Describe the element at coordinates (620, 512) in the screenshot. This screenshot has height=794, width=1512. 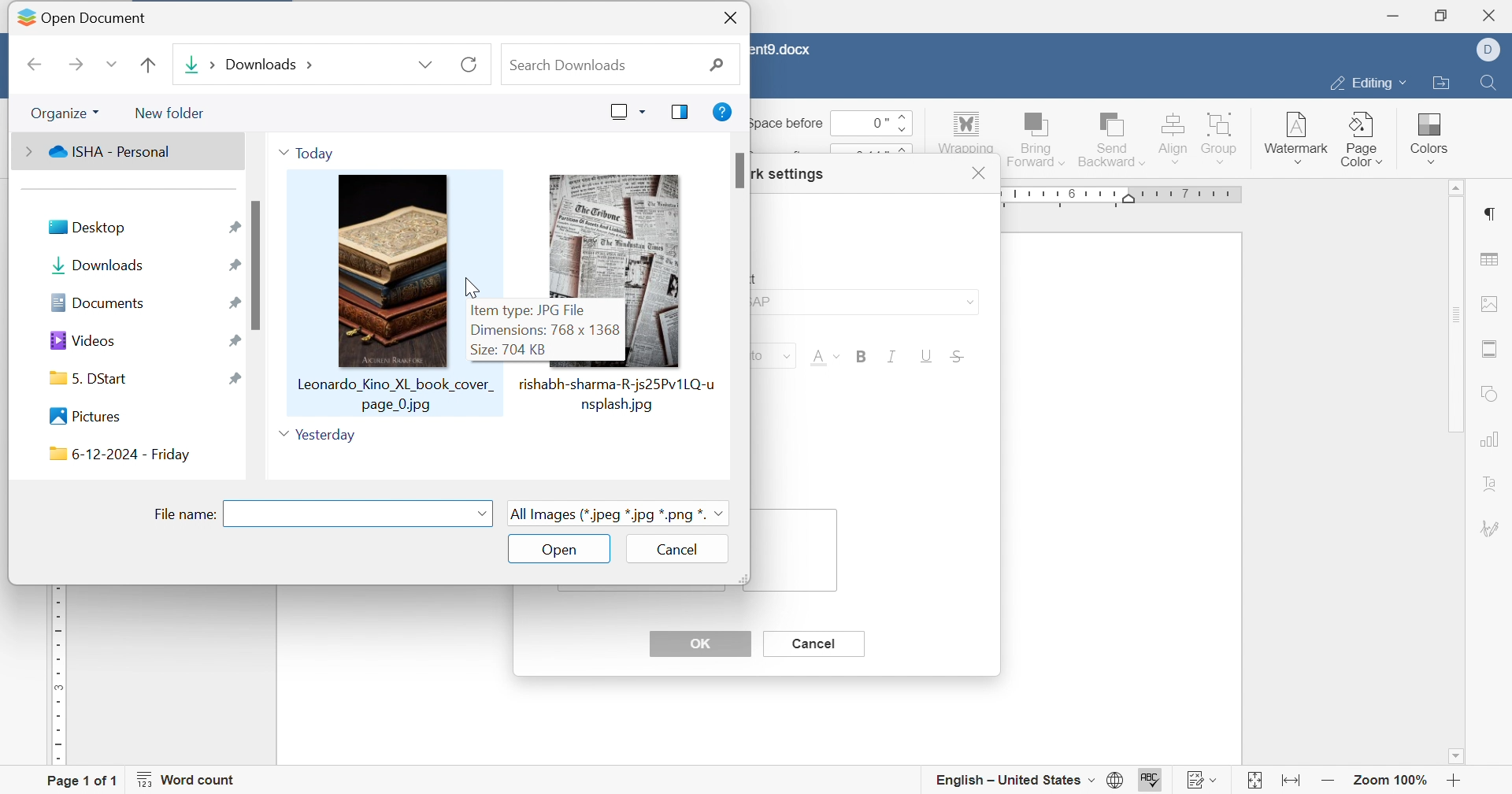
I see `image extension` at that location.